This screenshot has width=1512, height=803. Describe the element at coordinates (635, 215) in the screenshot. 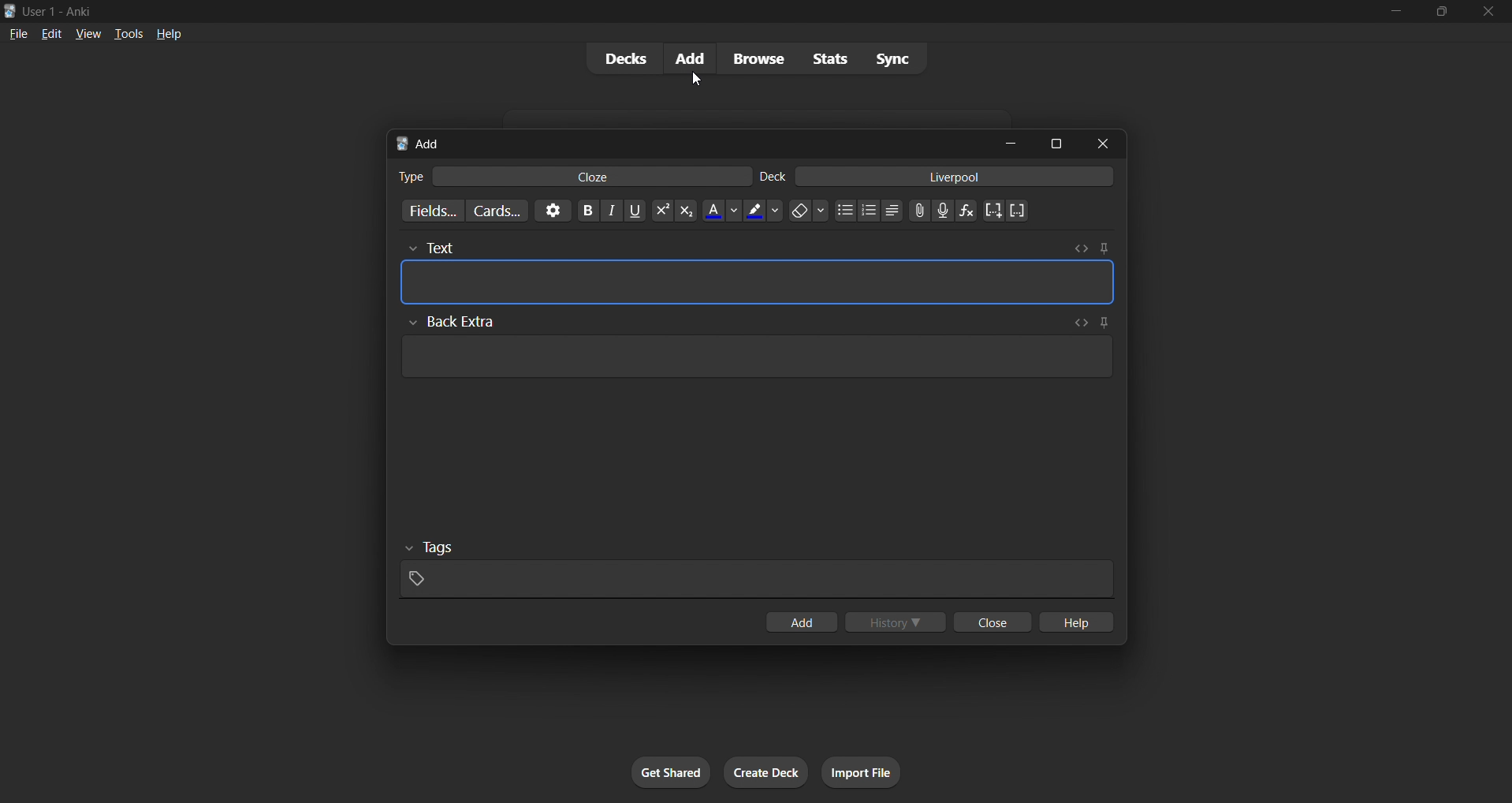

I see `underline` at that location.